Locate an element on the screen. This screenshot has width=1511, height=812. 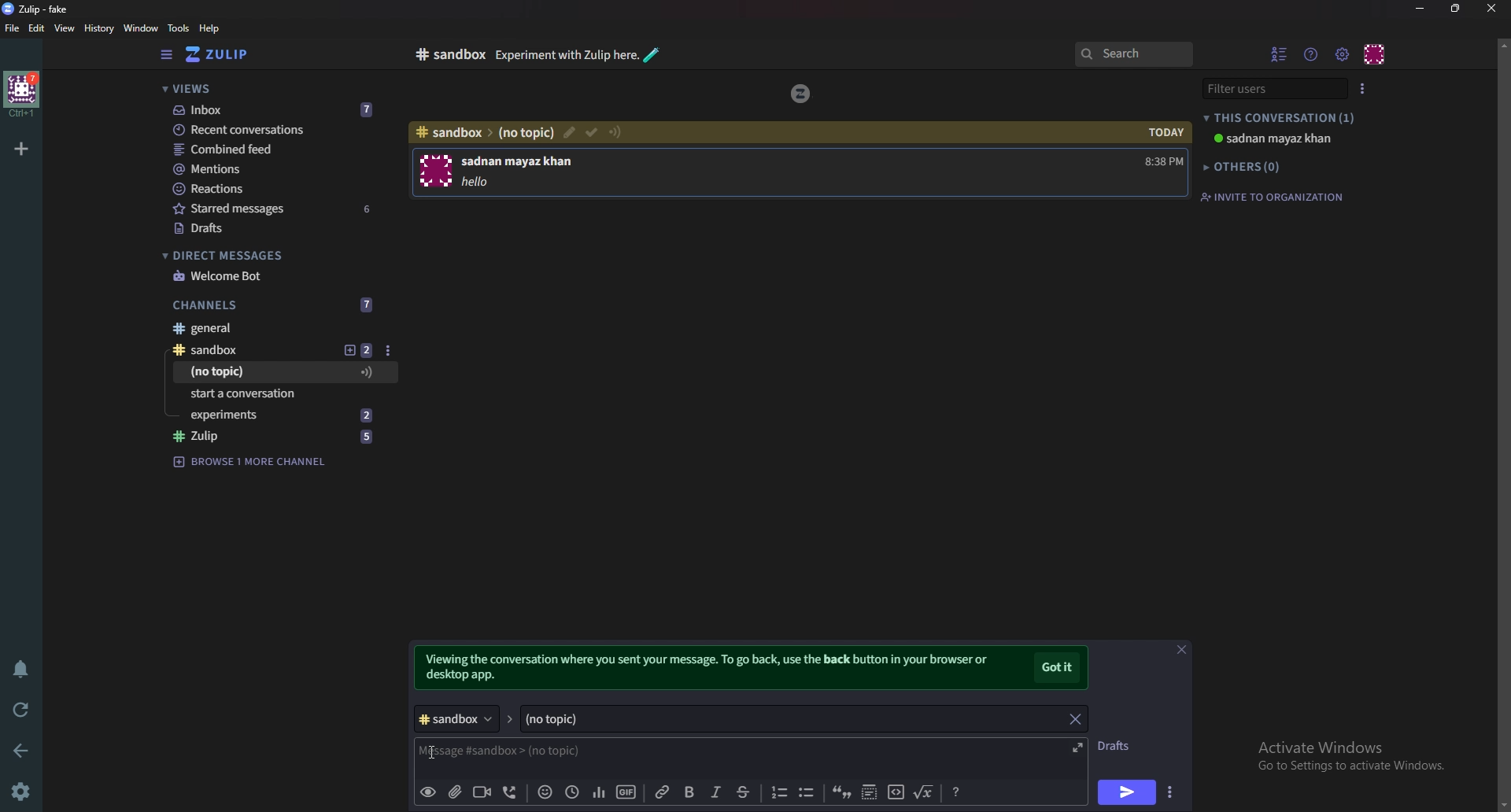
Reactions is located at coordinates (272, 189).